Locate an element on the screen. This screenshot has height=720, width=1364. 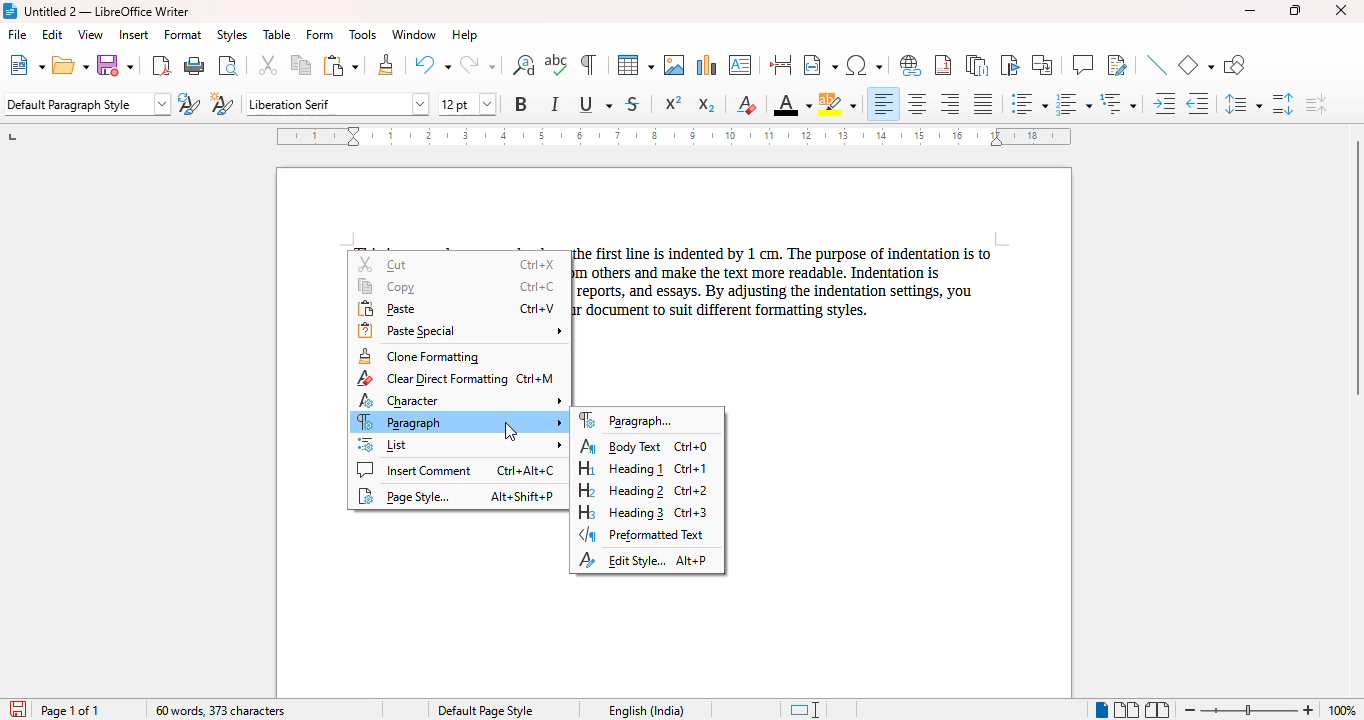
toggle print preview is located at coordinates (228, 65).